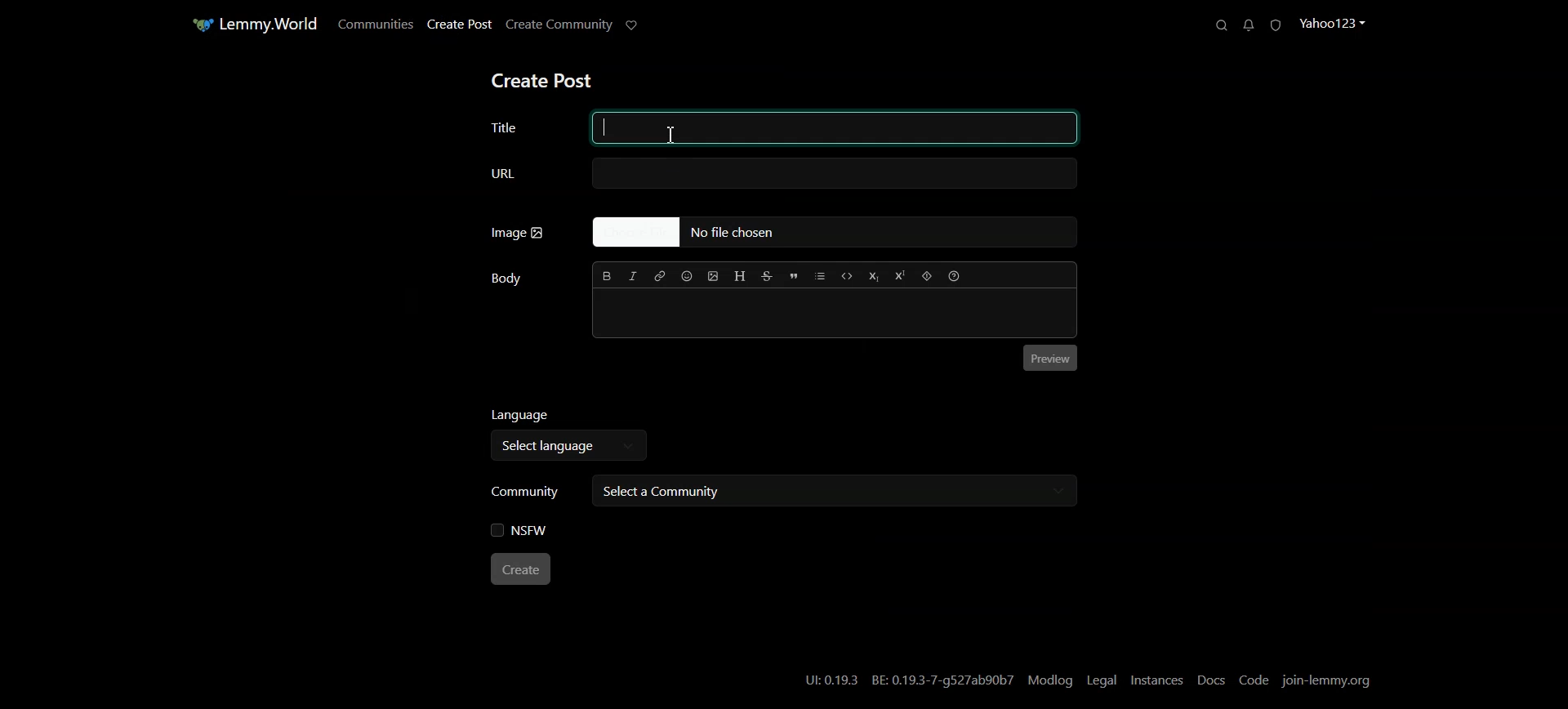  Describe the element at coordinates (927, 275) in the screenshot. I see `Spoiler` at that location.